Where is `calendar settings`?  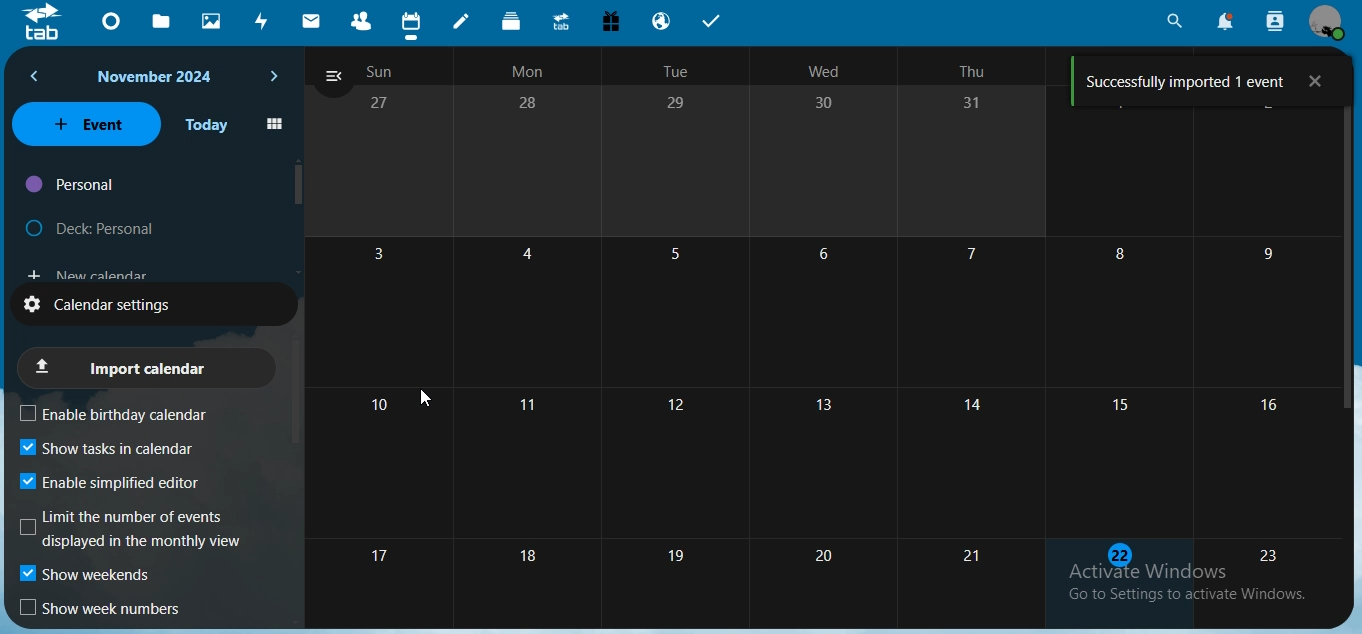 calendar settings is located at coordinates (117, 303).